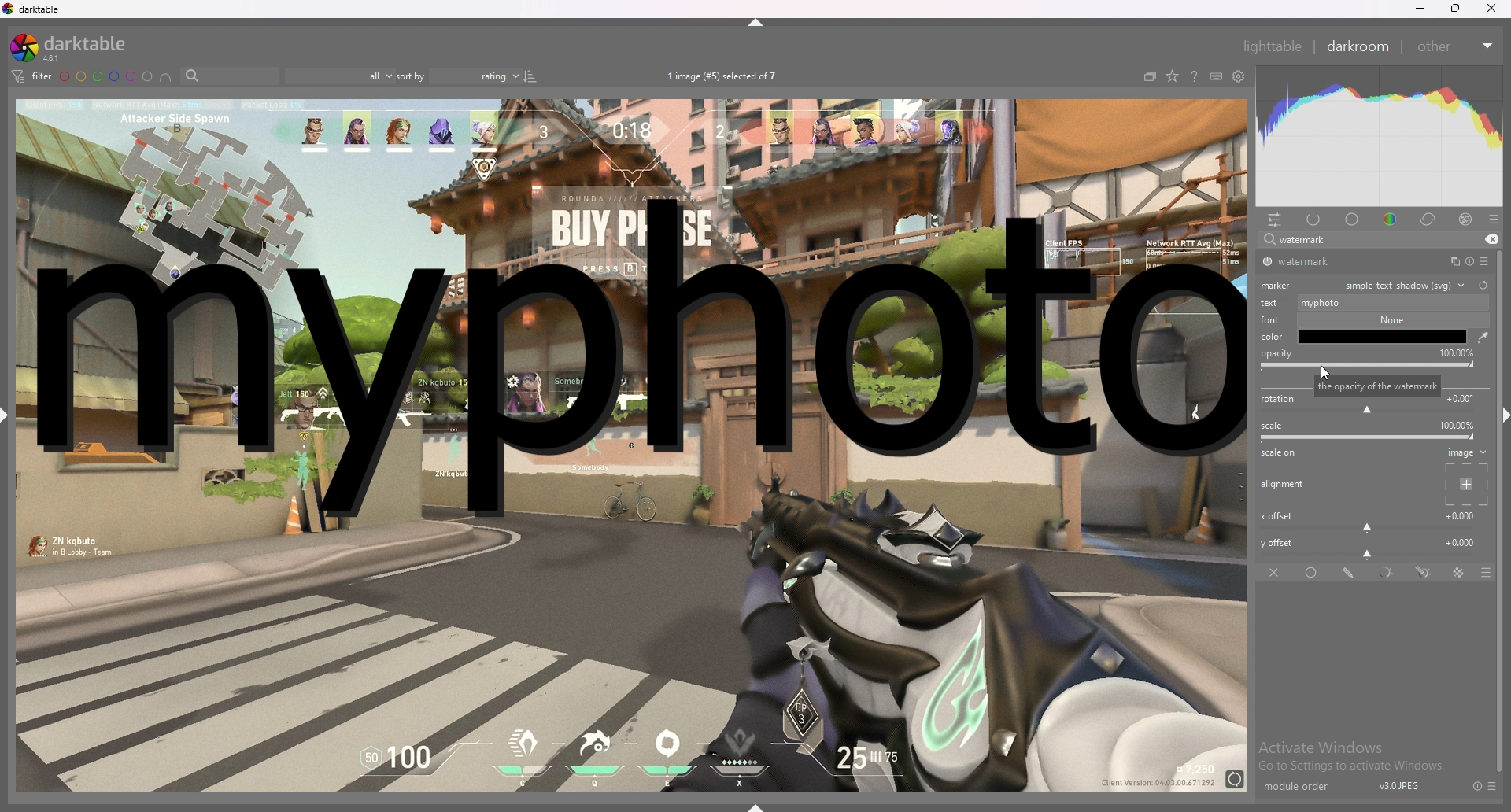  I want to click on correct, so click(1429, 219).